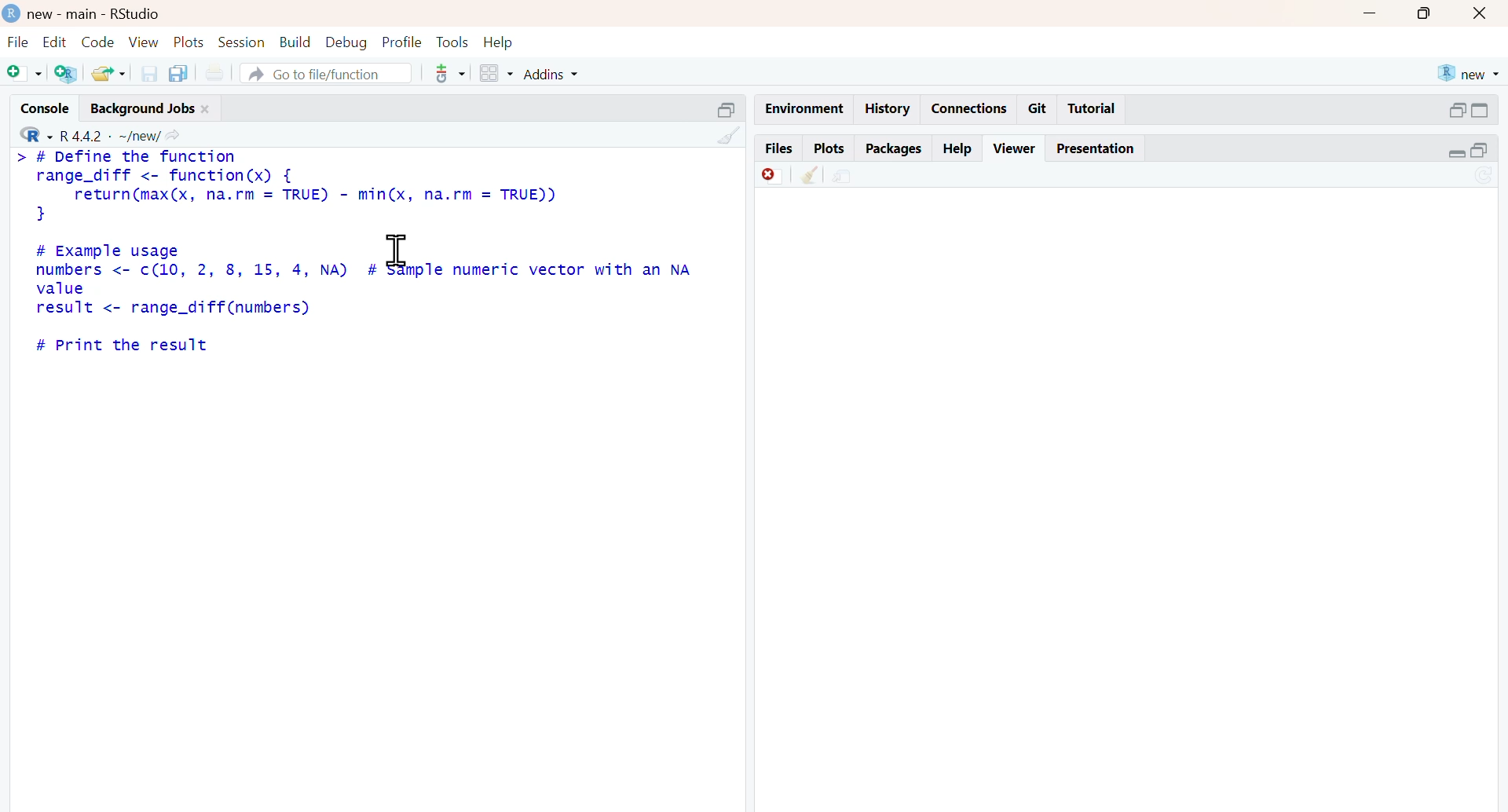  What do you see at coordinates (498, 43) in the screenshot?
I see `help` at bounding box center [498, 43].